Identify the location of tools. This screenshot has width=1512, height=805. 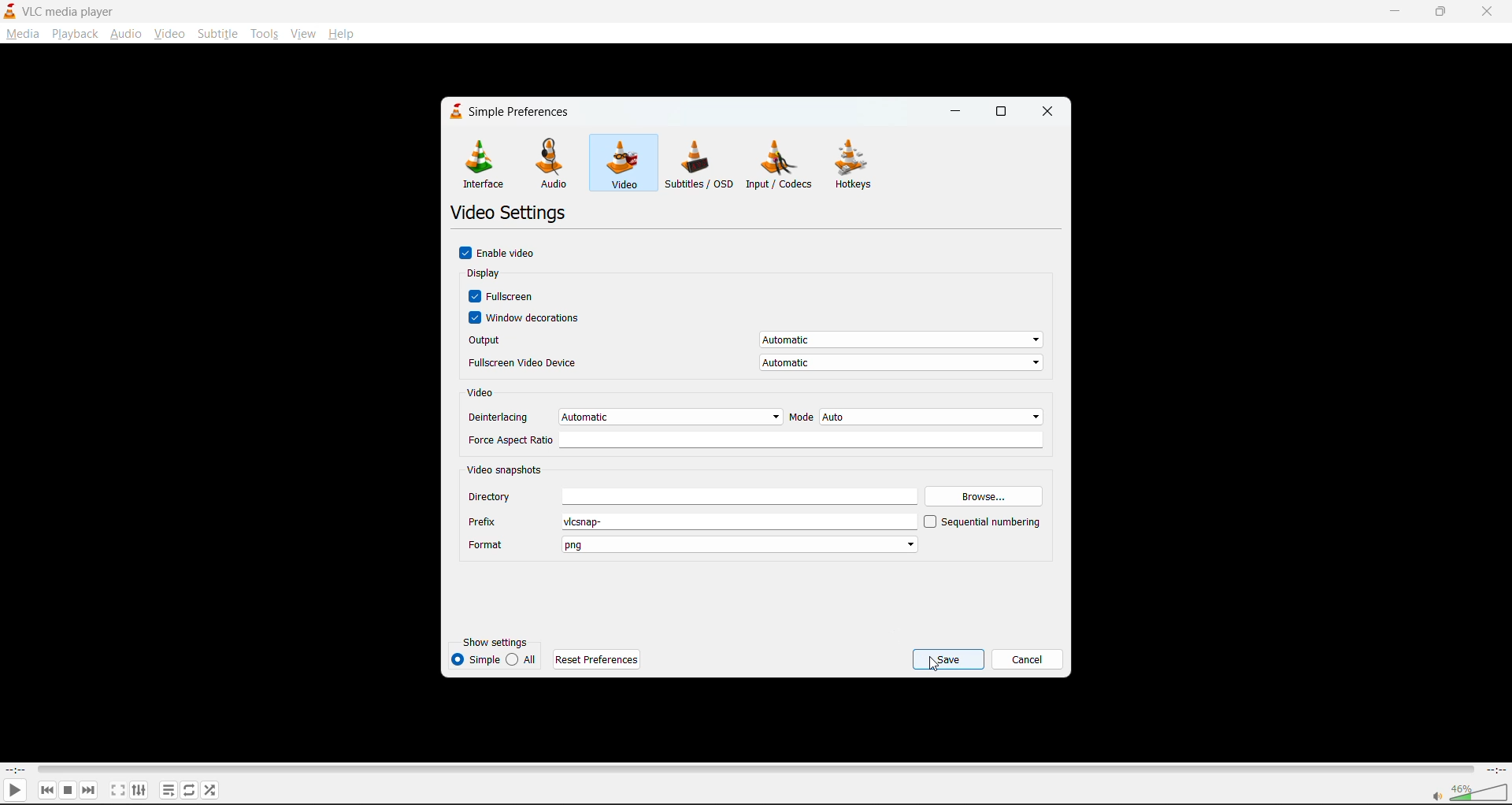
(265, 35).